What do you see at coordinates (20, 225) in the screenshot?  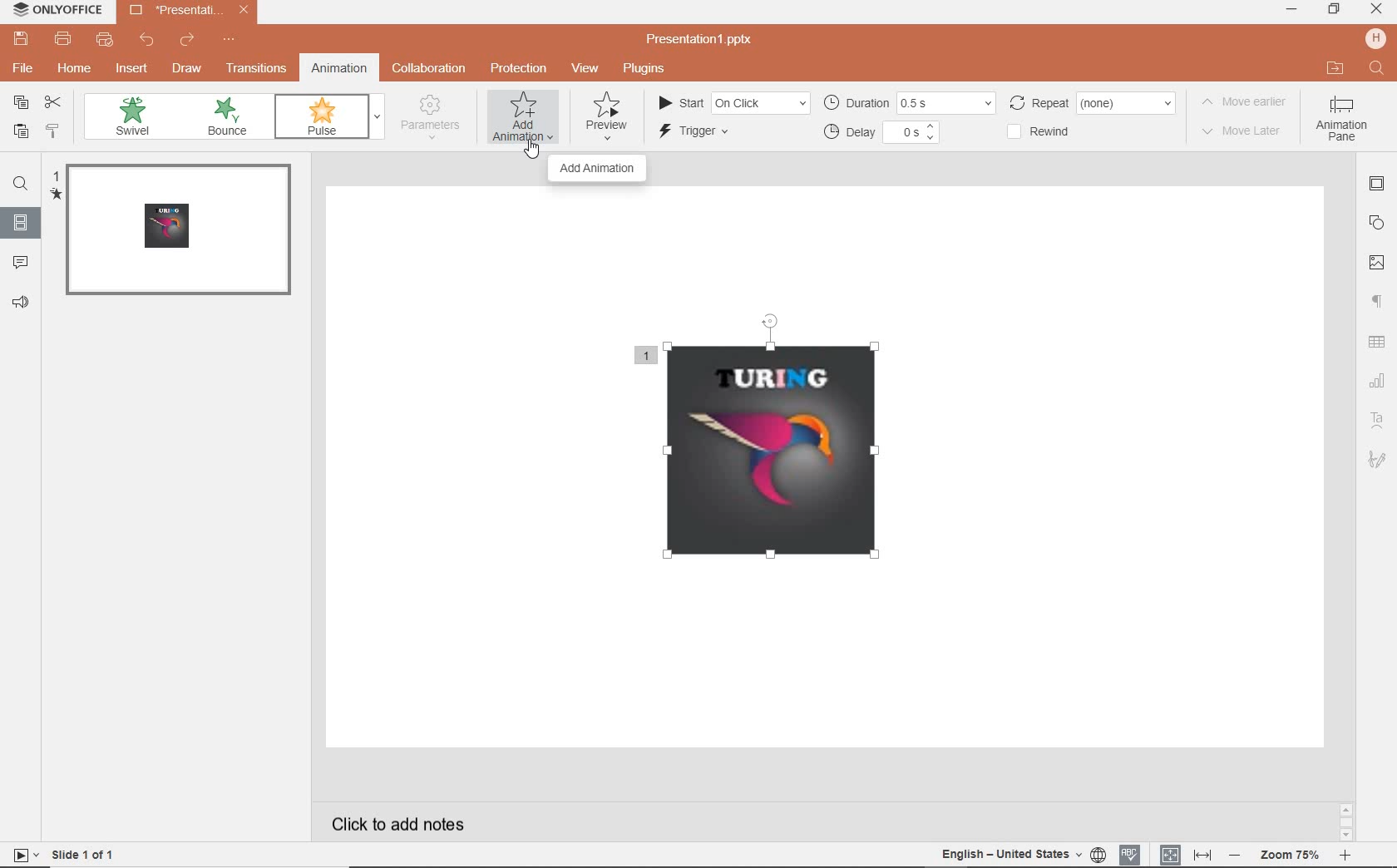 I see `slides` at bounding box center [20, 225].